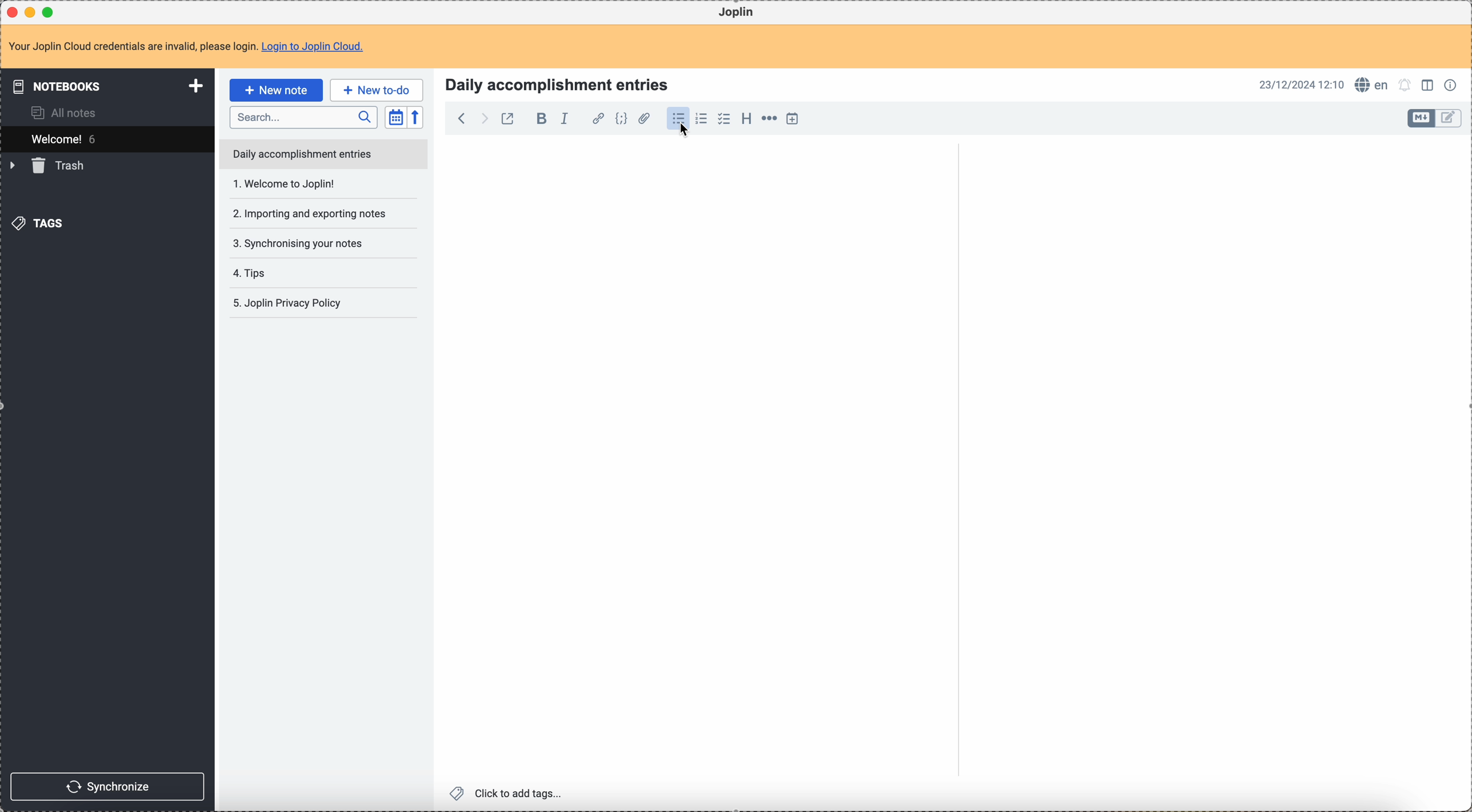 The height and width of the screenshot is (812, 1472). I want to click on Joplin privacy policy, so click(286, 273).